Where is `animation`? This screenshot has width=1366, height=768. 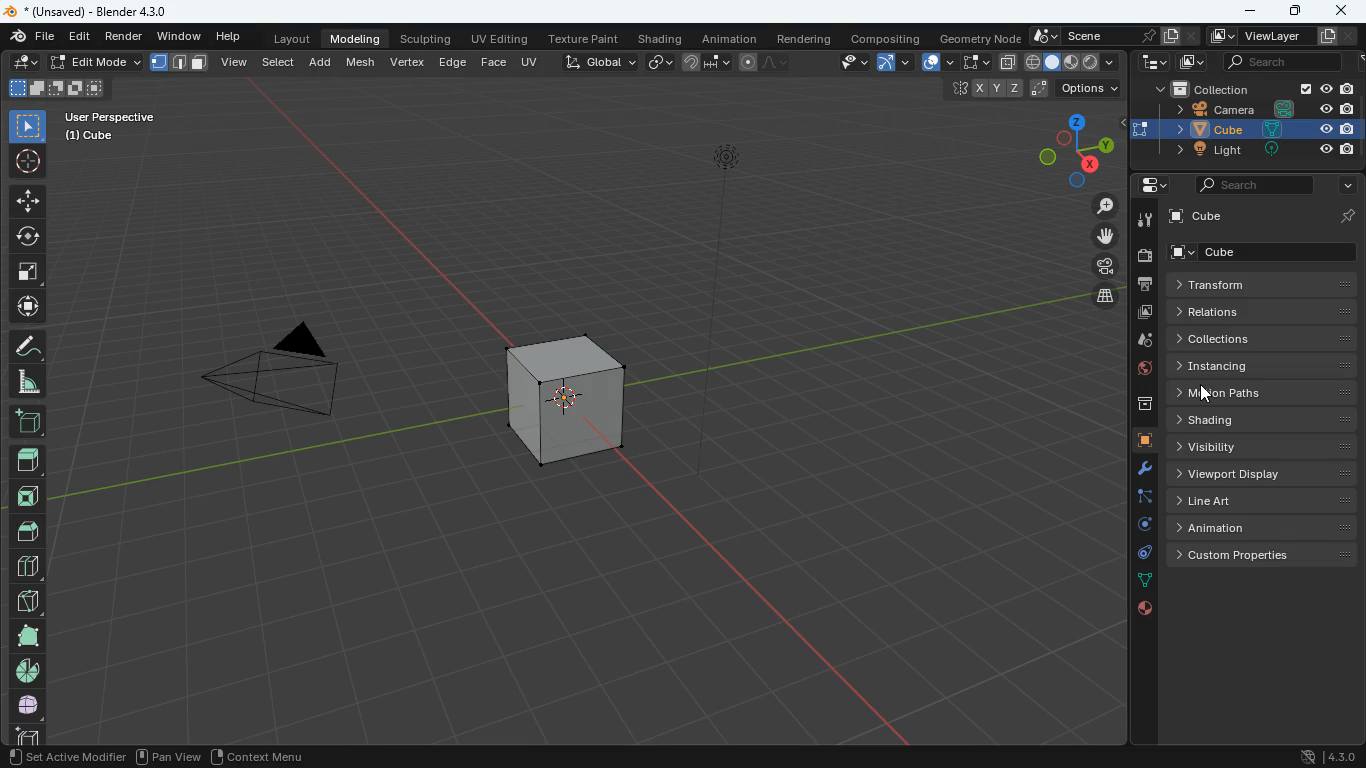 animation is located at coordinates (733, 39).